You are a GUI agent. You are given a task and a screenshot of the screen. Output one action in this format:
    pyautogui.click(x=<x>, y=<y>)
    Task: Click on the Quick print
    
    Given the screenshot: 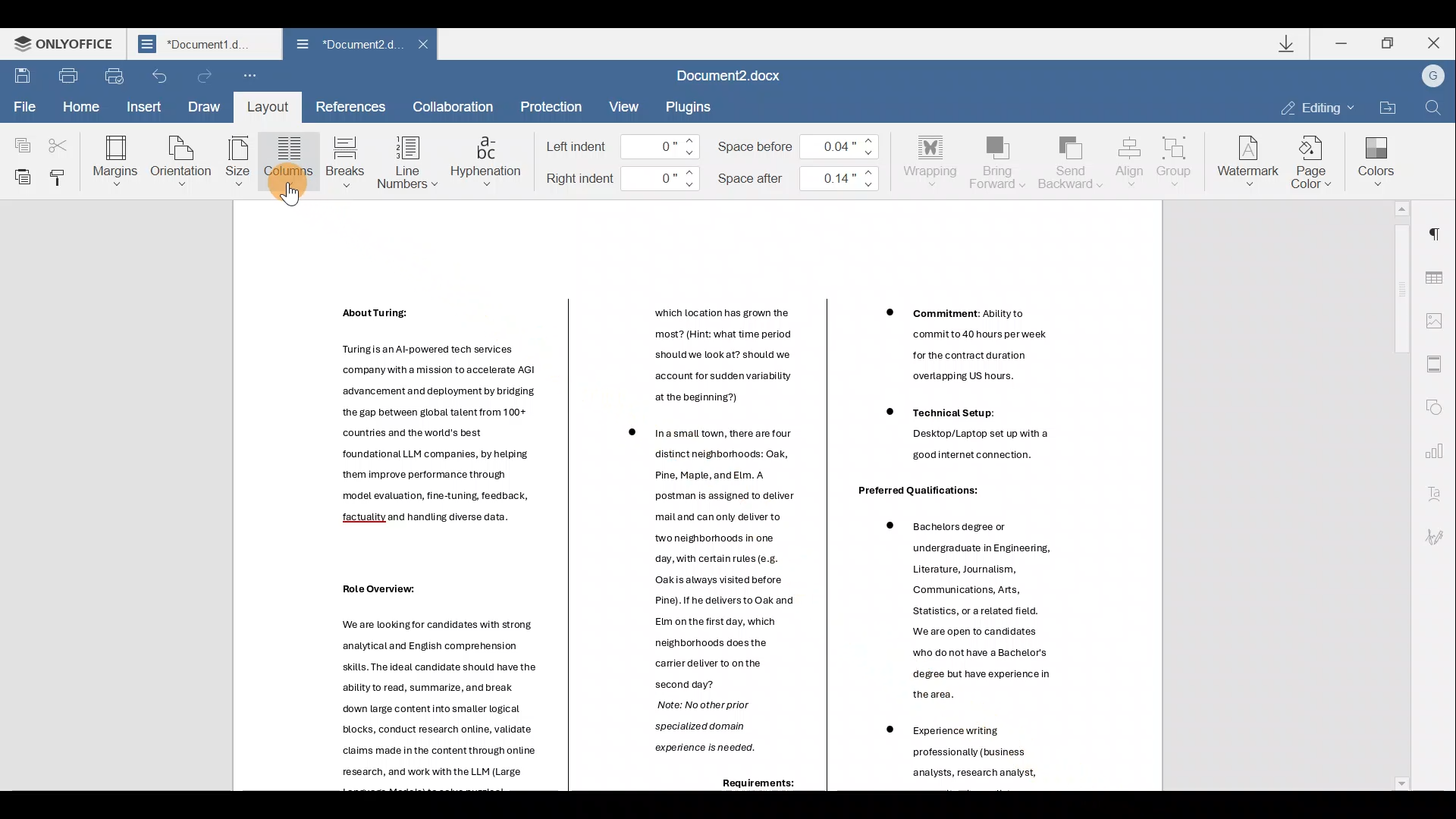 What is the action you would take?
    pyautogui.click(x=115, y=74)
    